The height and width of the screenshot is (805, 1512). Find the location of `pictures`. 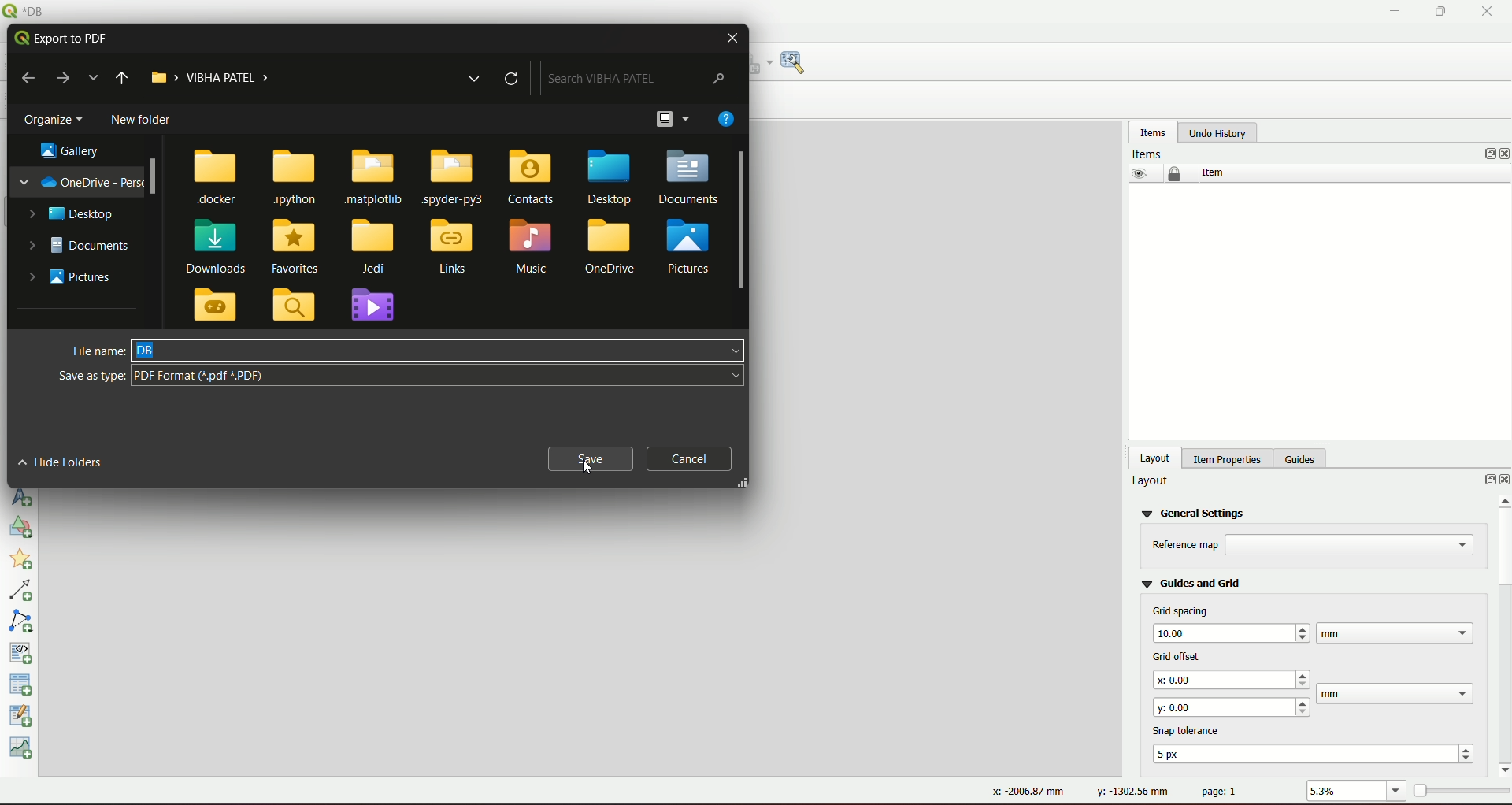

pictures is located at coordinates (71, 278).